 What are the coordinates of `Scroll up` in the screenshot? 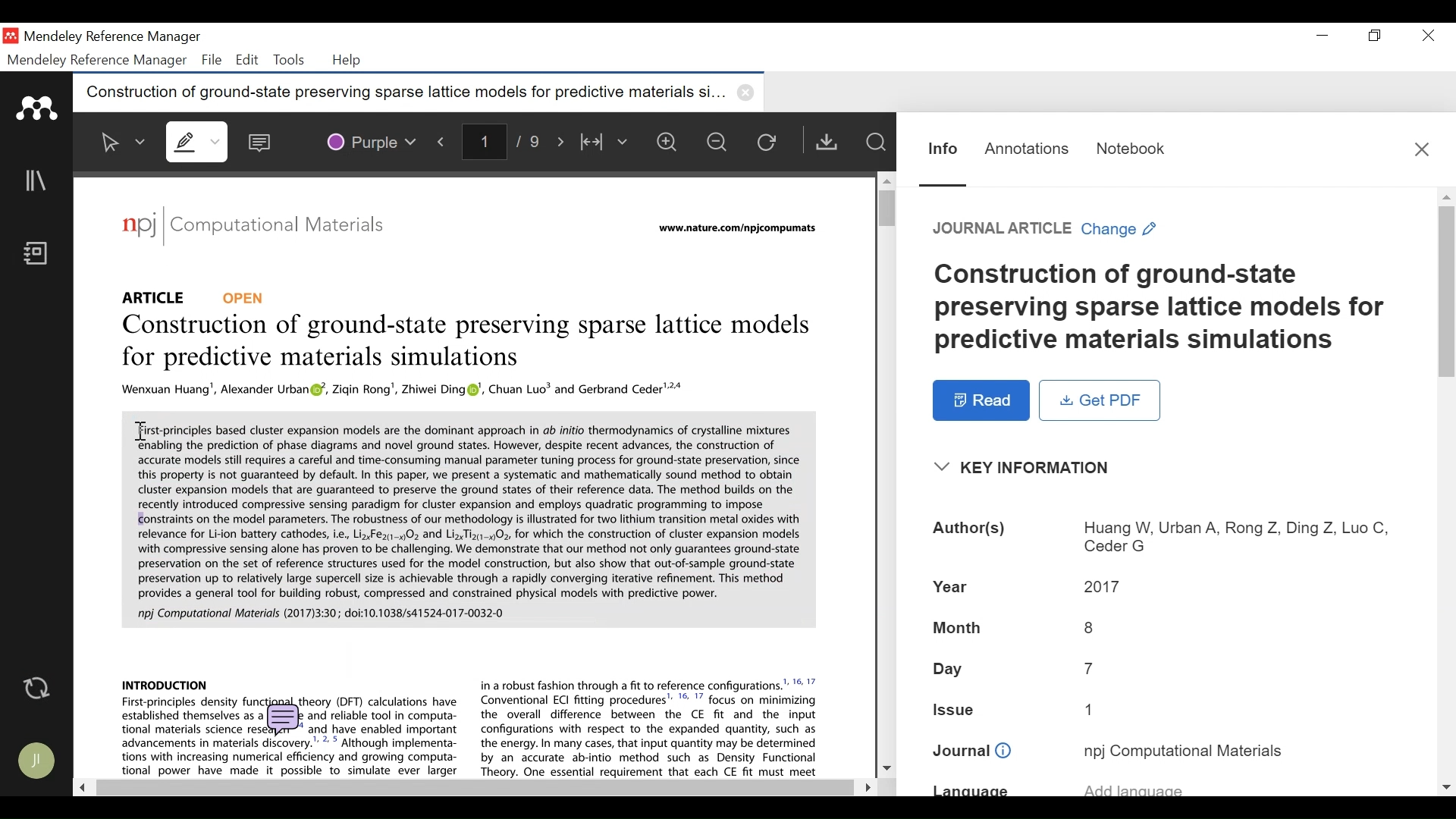 It's located at (885, 180).